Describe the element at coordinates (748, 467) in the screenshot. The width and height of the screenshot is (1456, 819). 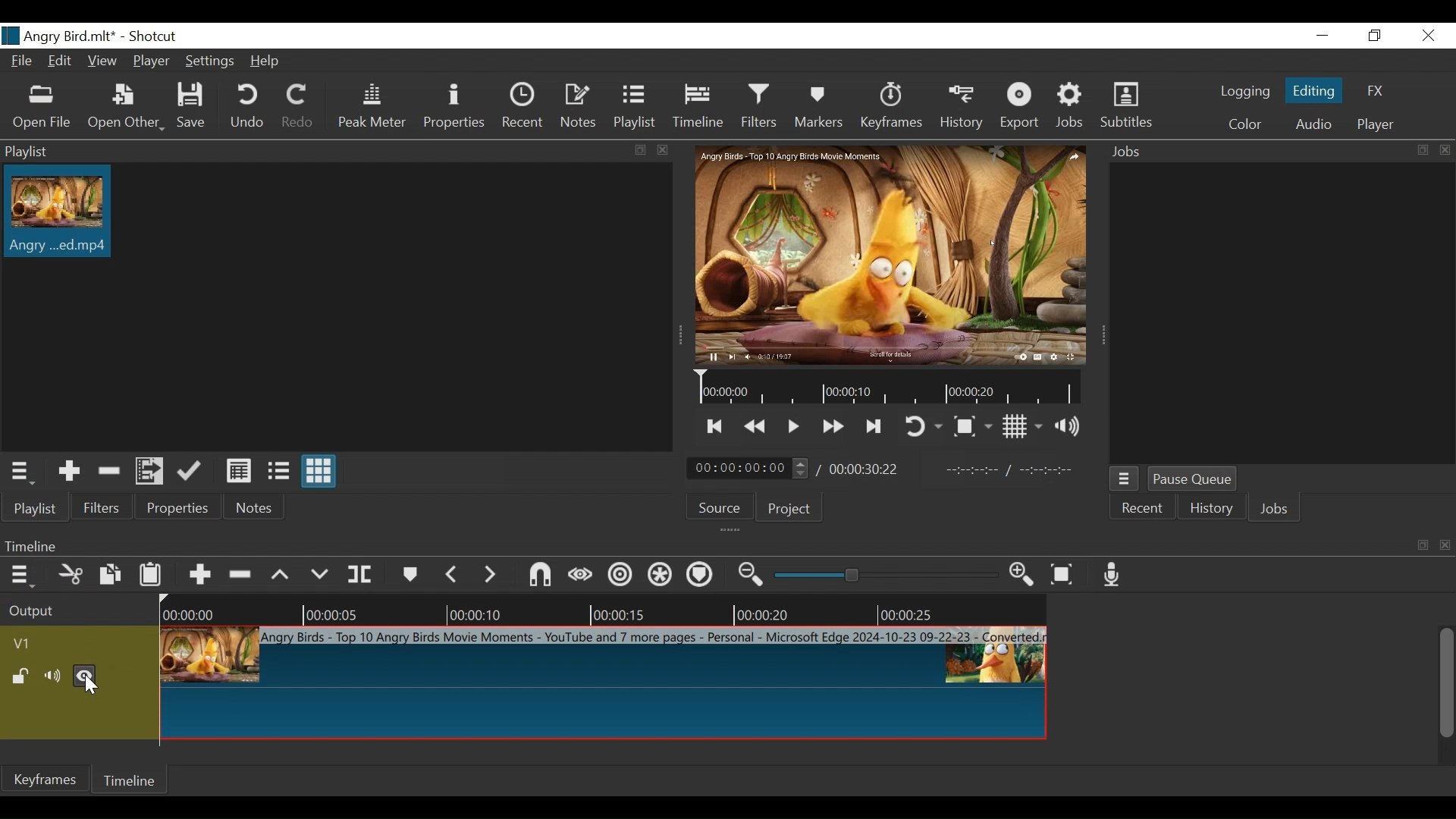
I see `Current uration` at that location.